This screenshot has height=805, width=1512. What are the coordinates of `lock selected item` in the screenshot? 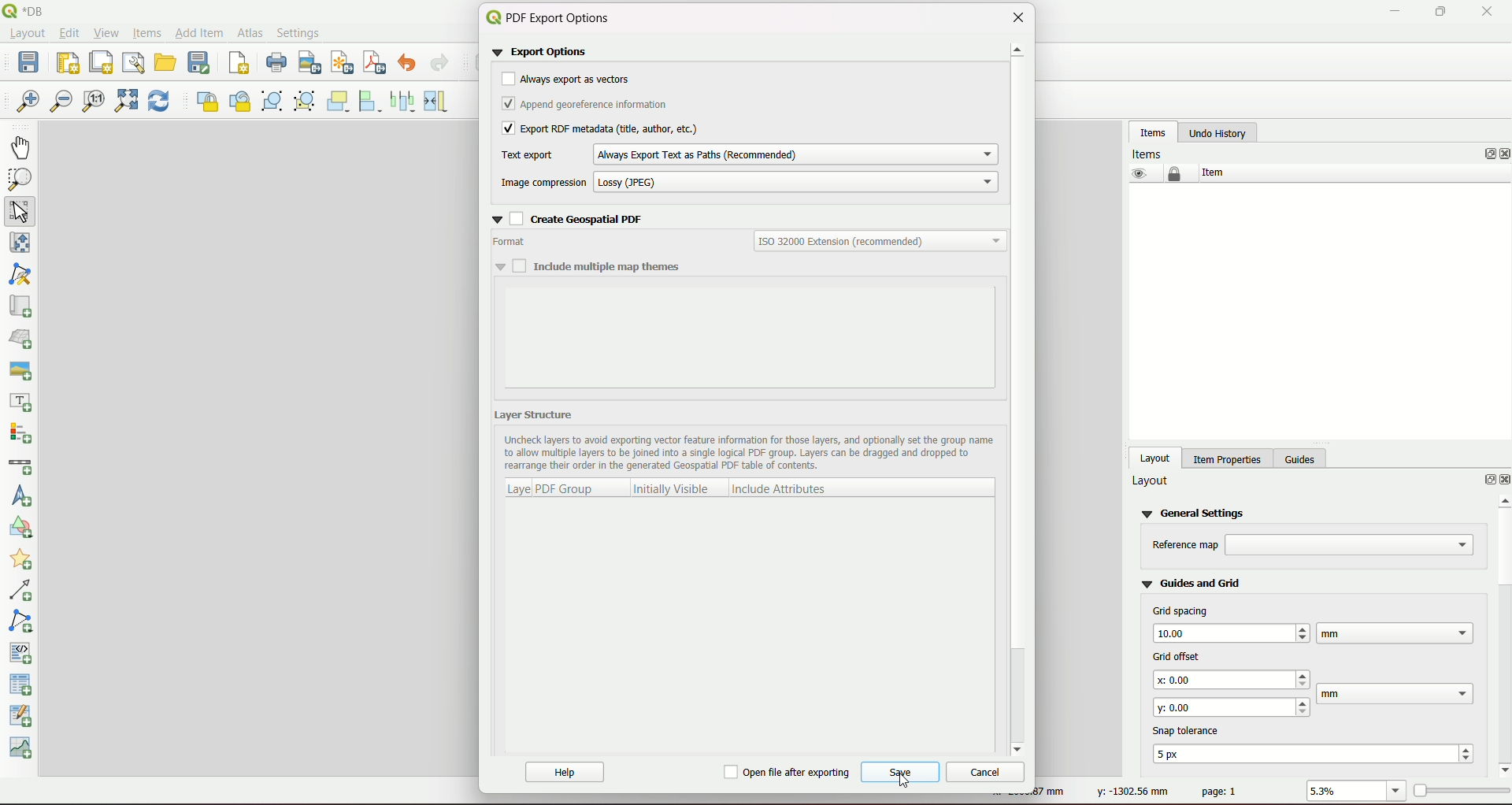 It's located at (205, 100).